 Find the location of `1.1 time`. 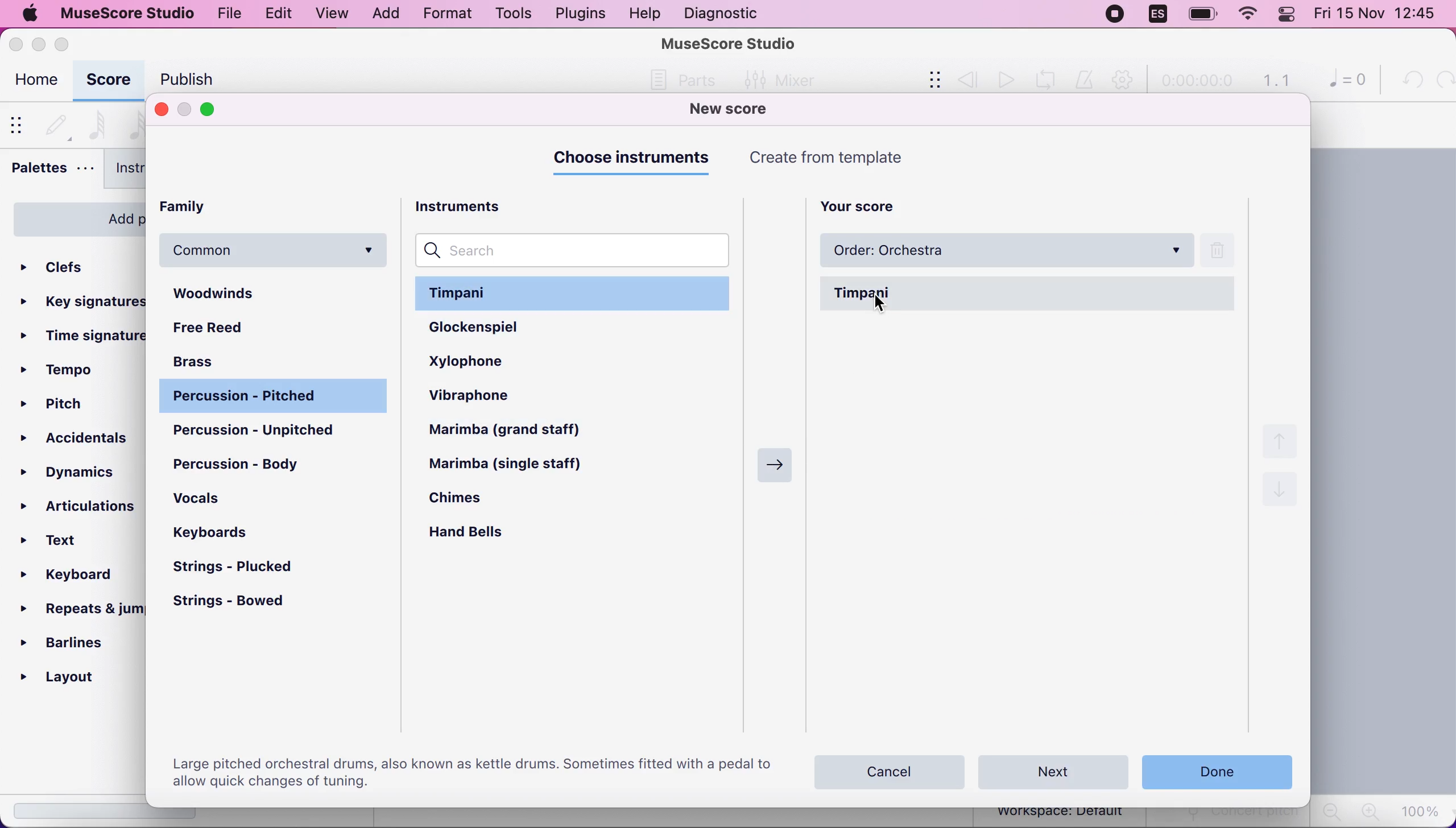

1.1 time is located at coordinates (1276, 81).